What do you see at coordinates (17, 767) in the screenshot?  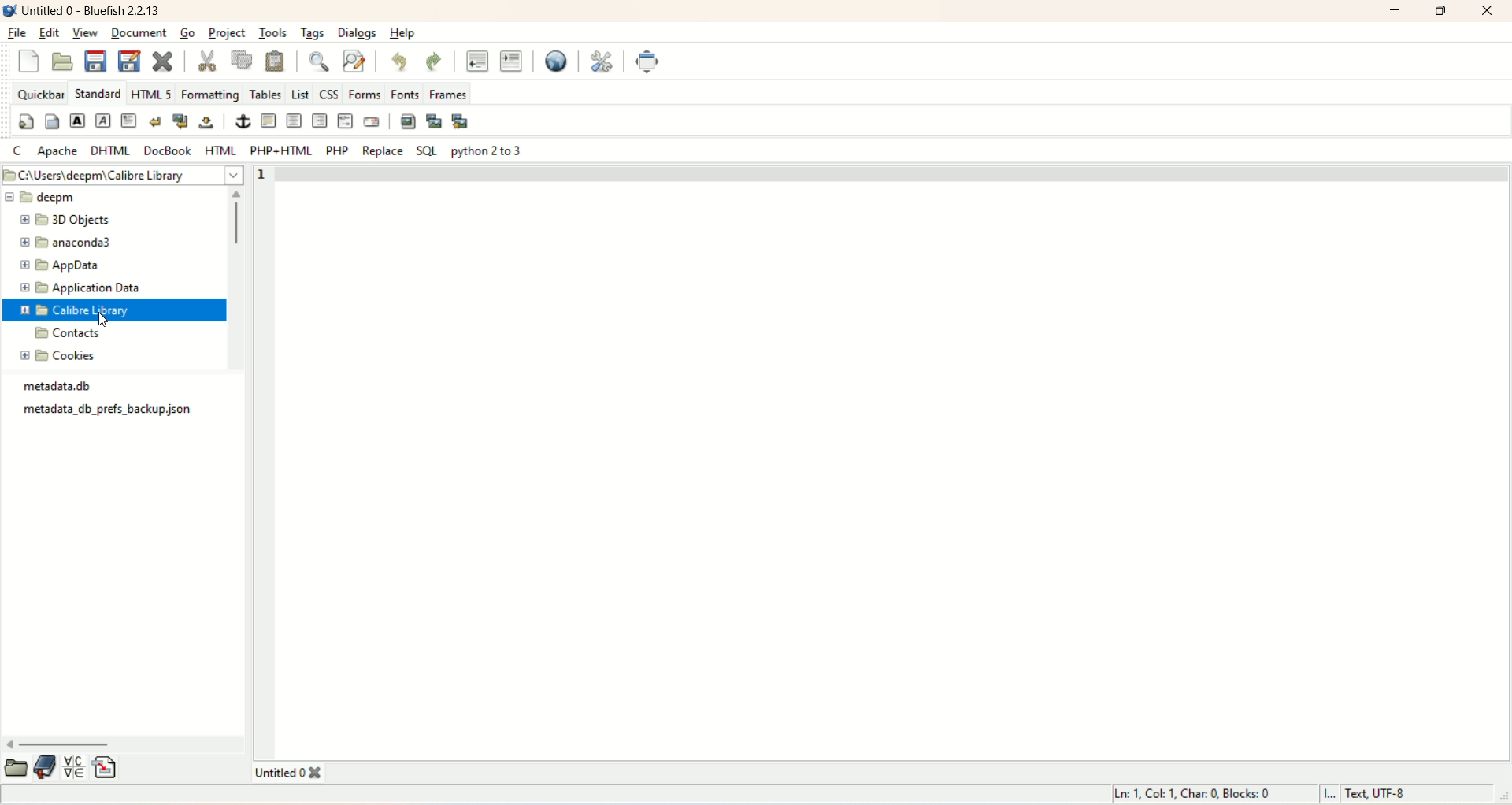 I see `open` at bounding box center [17, 767].